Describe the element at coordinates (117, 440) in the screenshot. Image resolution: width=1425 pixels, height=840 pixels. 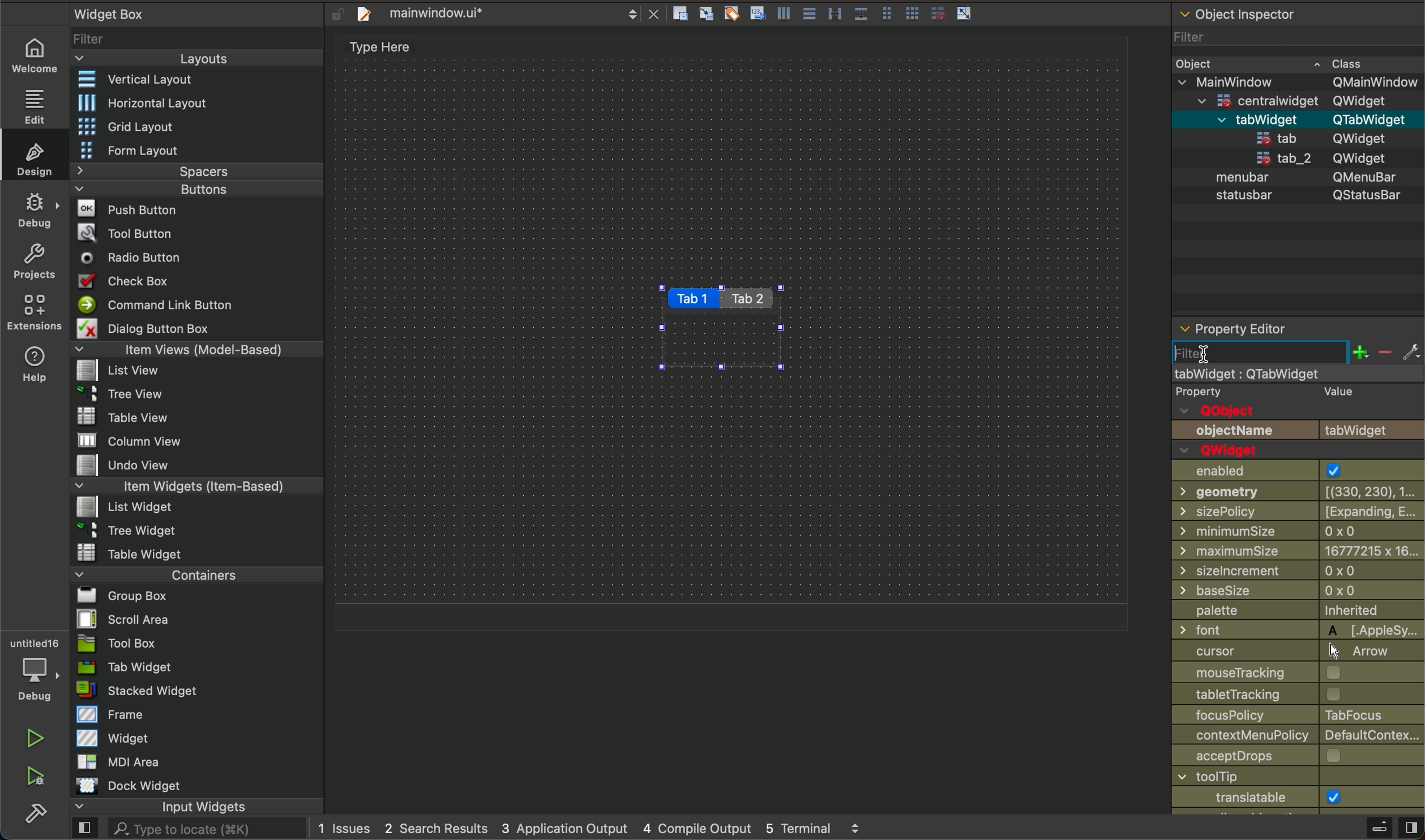
I see `MW column view` at that location.